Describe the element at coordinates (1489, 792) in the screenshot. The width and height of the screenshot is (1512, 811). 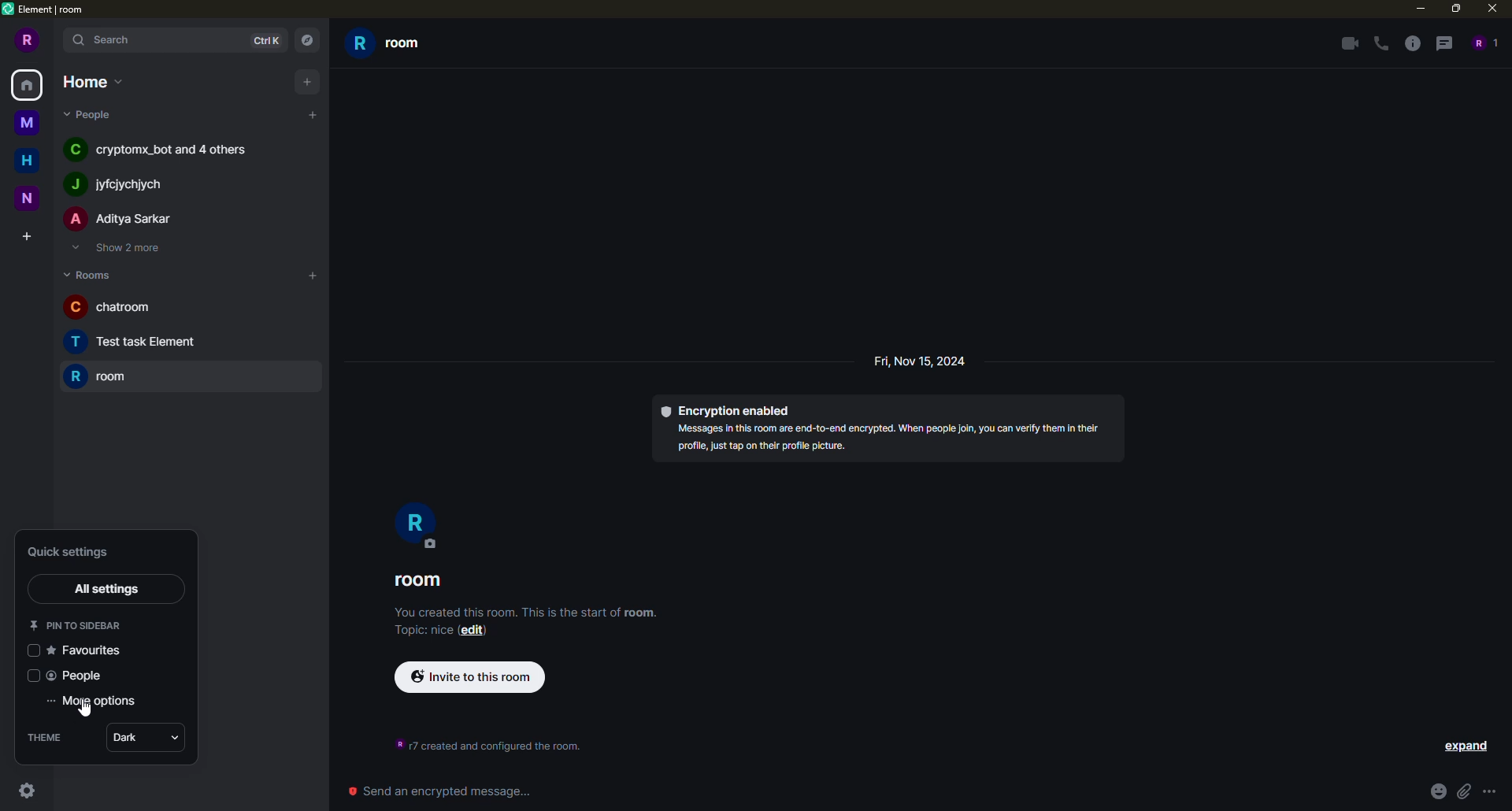
I see `more` at that location.